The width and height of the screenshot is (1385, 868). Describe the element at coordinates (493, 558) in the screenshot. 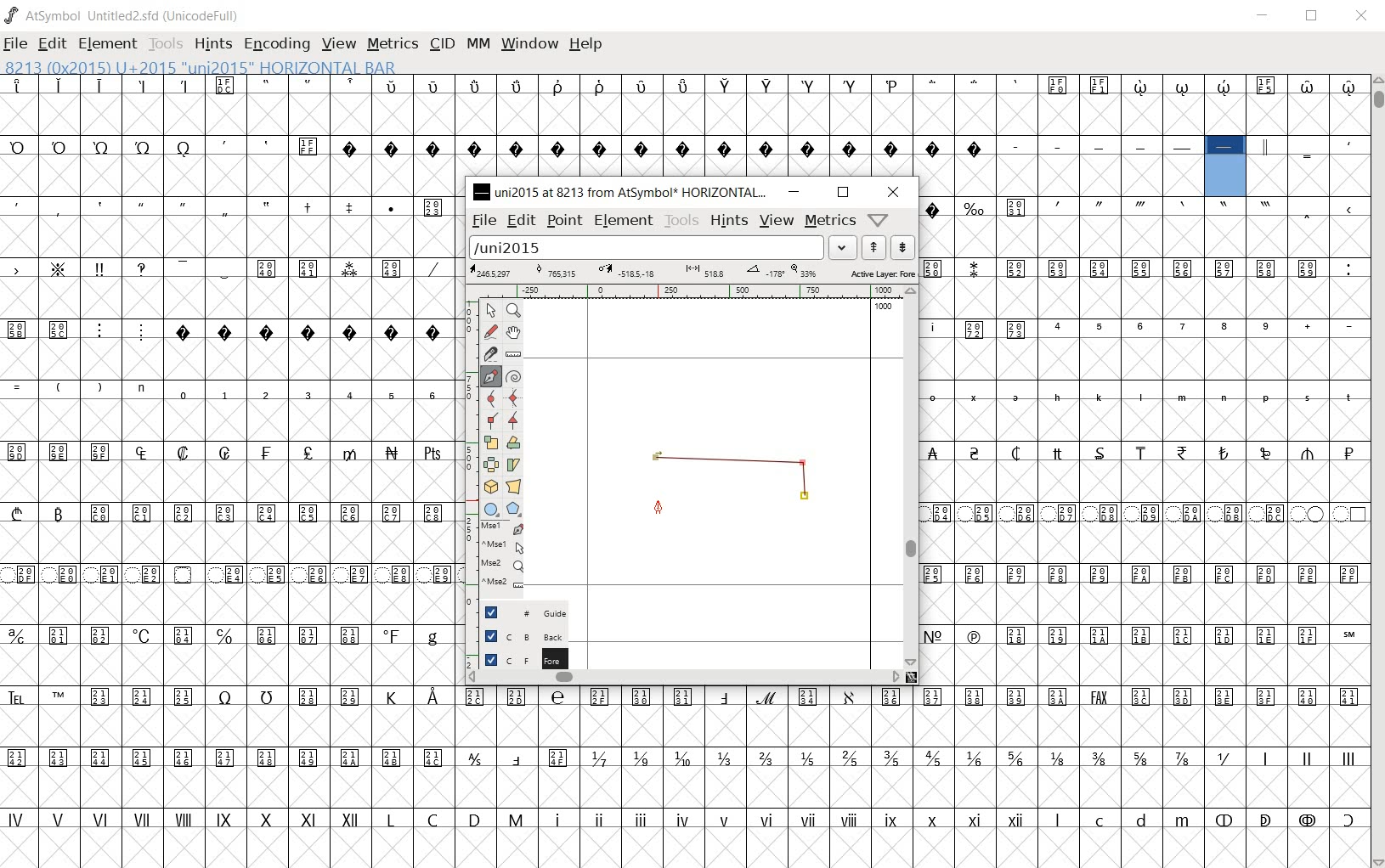

I see `mse1 mse1 mse2 mse2` at that location.